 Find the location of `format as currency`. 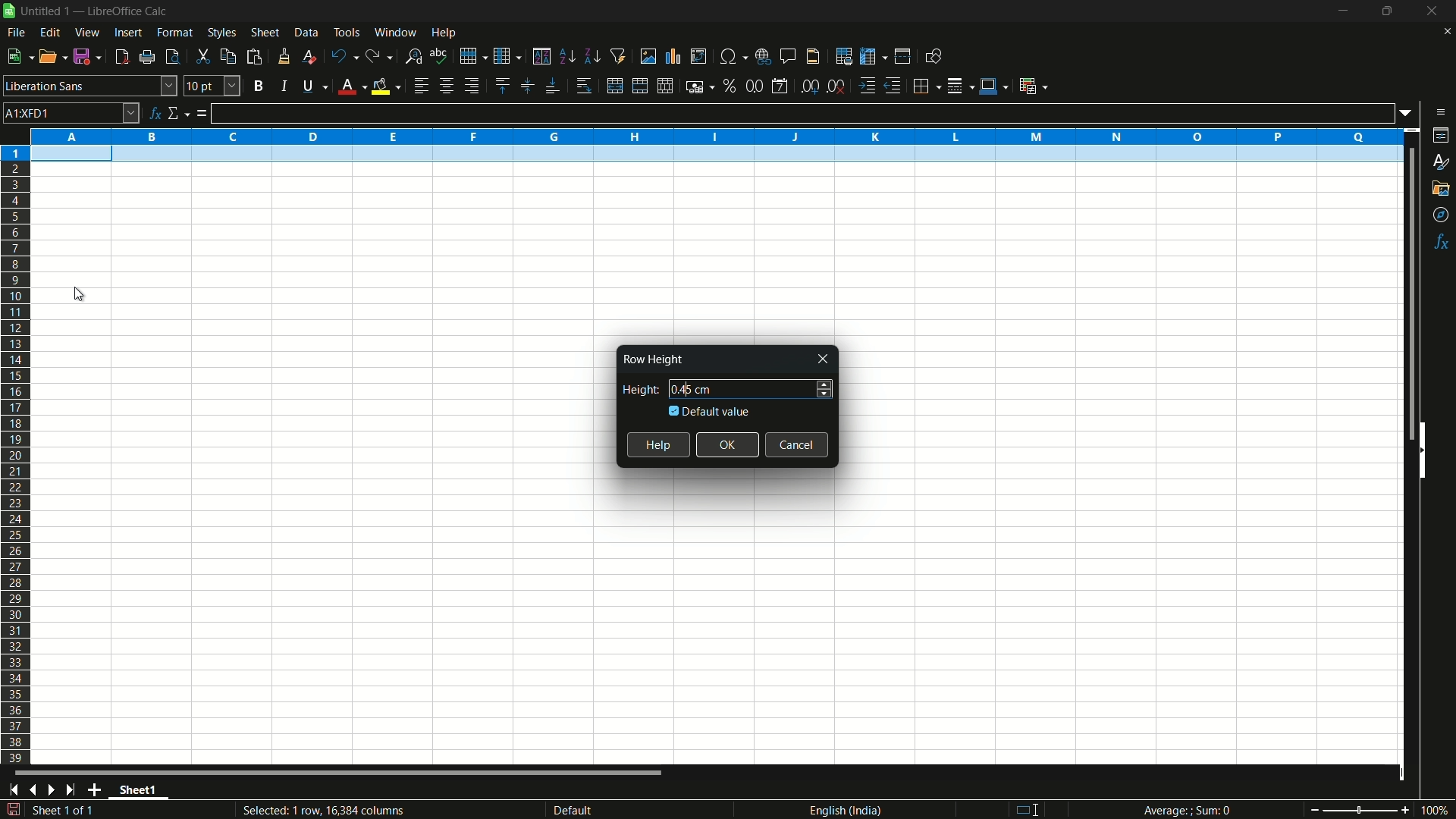

format as currency is located at coordinates (700, 86).